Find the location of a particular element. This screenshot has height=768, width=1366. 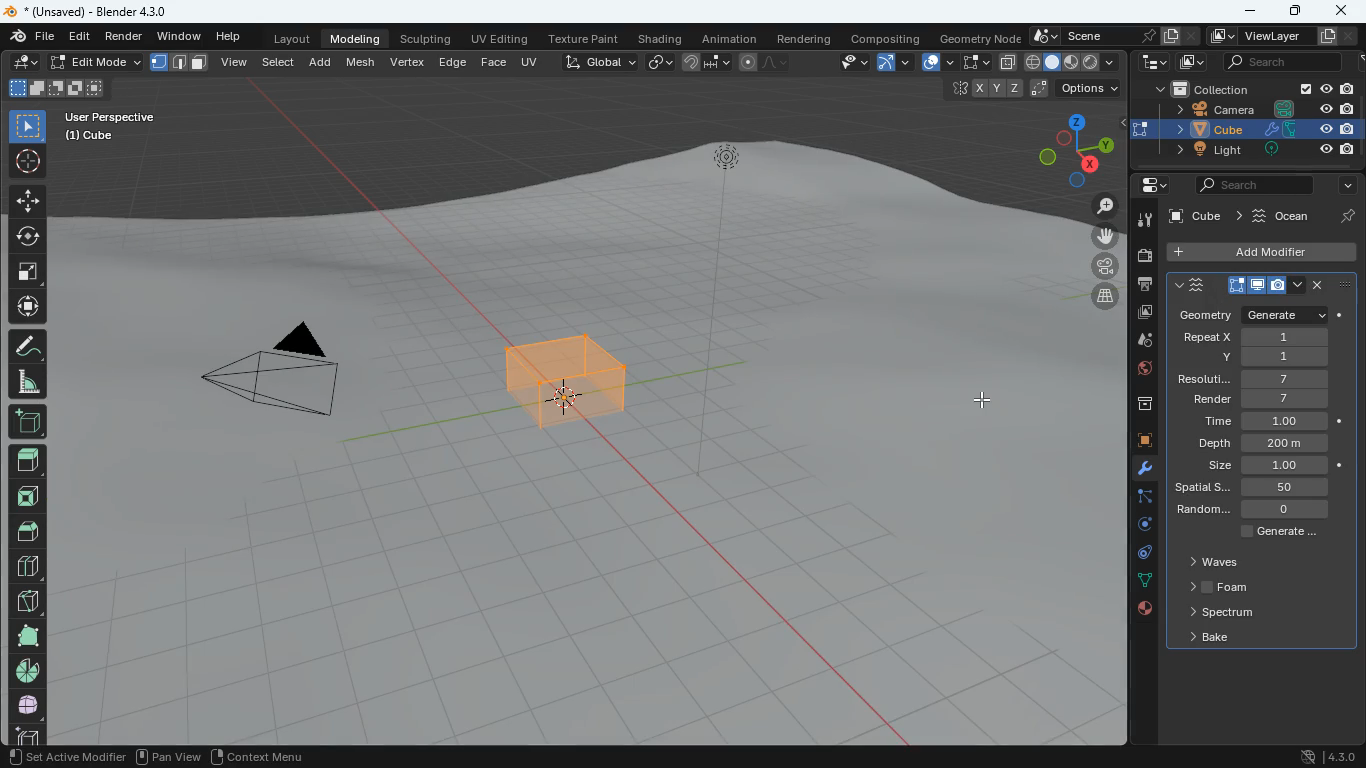

aim is located at coordinates (30, 161).